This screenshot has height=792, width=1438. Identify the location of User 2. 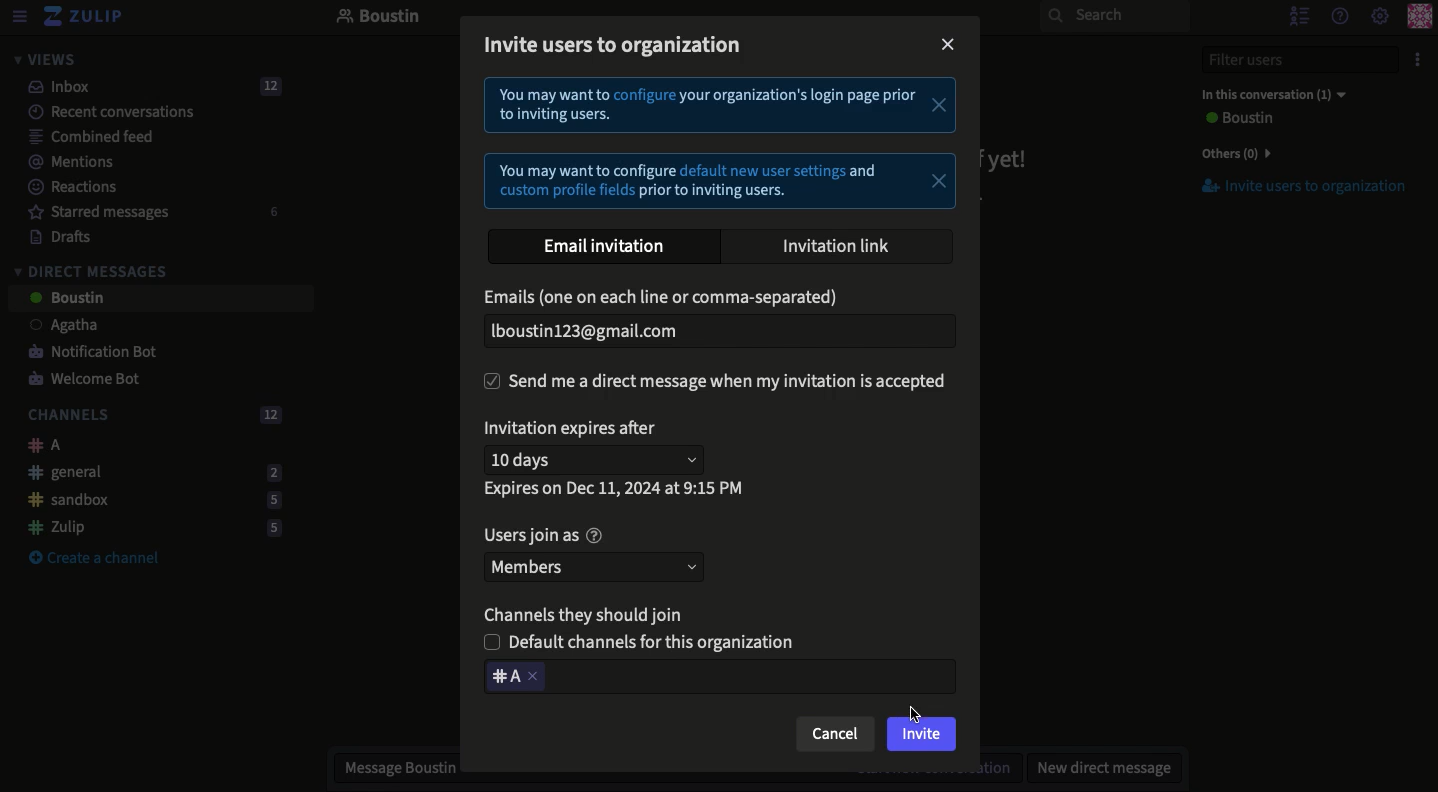
(65, 299).